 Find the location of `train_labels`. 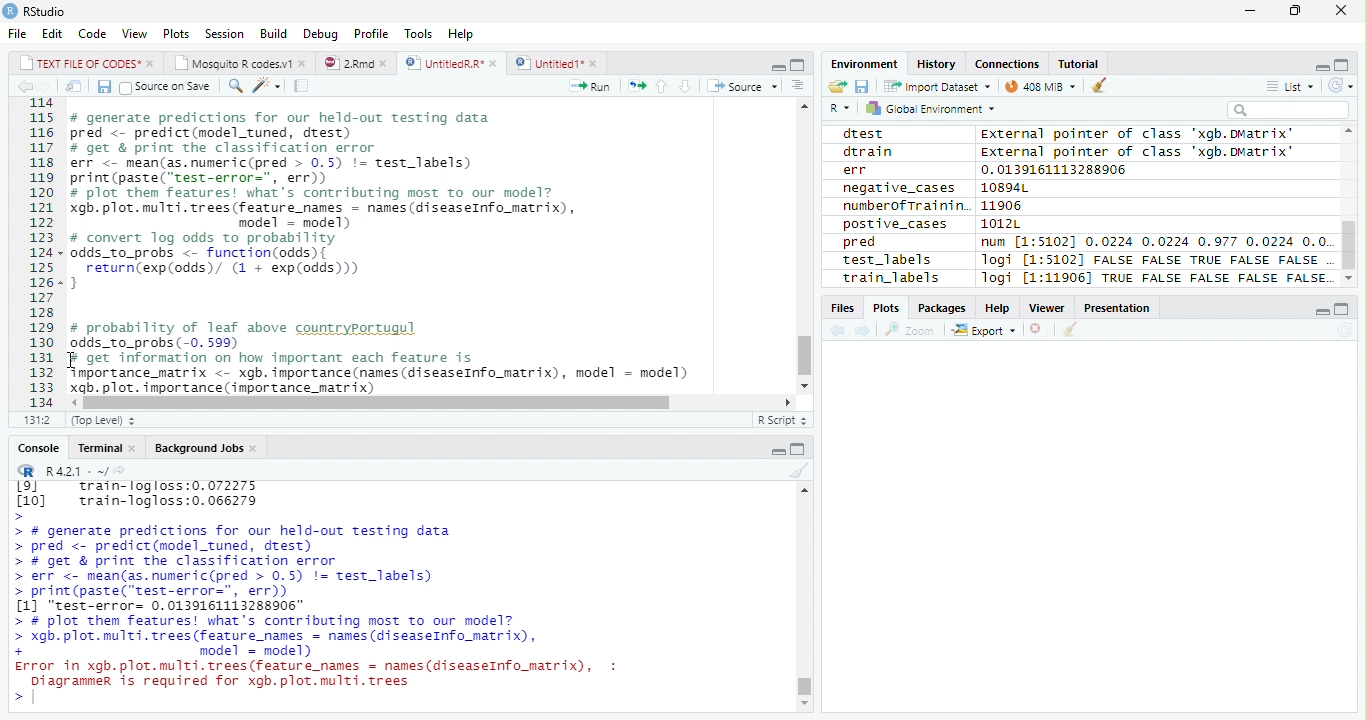

train_labels is located at coordinates (889, 279).